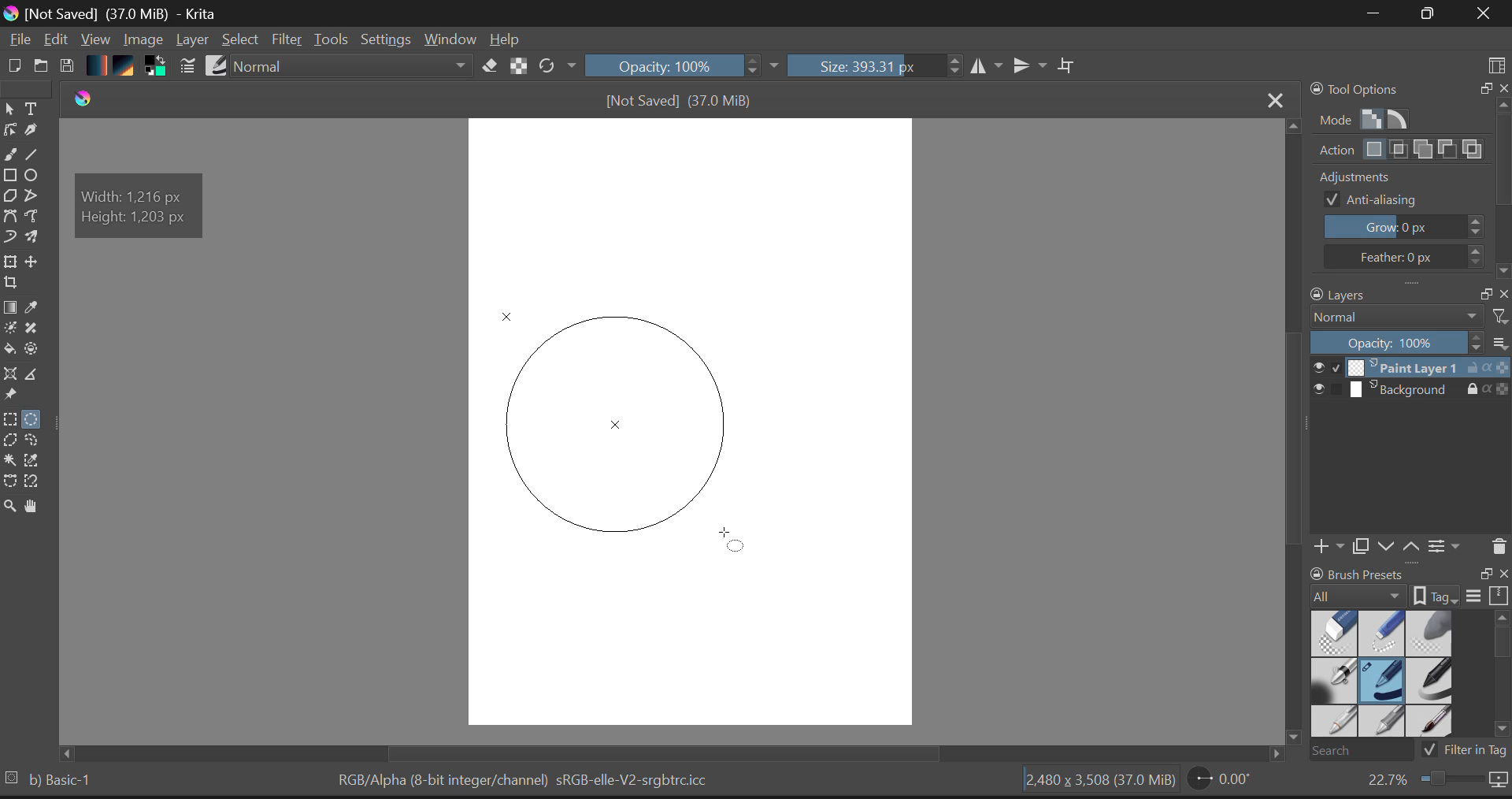  What do you see at coordinates (11, 199) in the screenshot?
I see `Polygon` at bounding box center [11, 199].